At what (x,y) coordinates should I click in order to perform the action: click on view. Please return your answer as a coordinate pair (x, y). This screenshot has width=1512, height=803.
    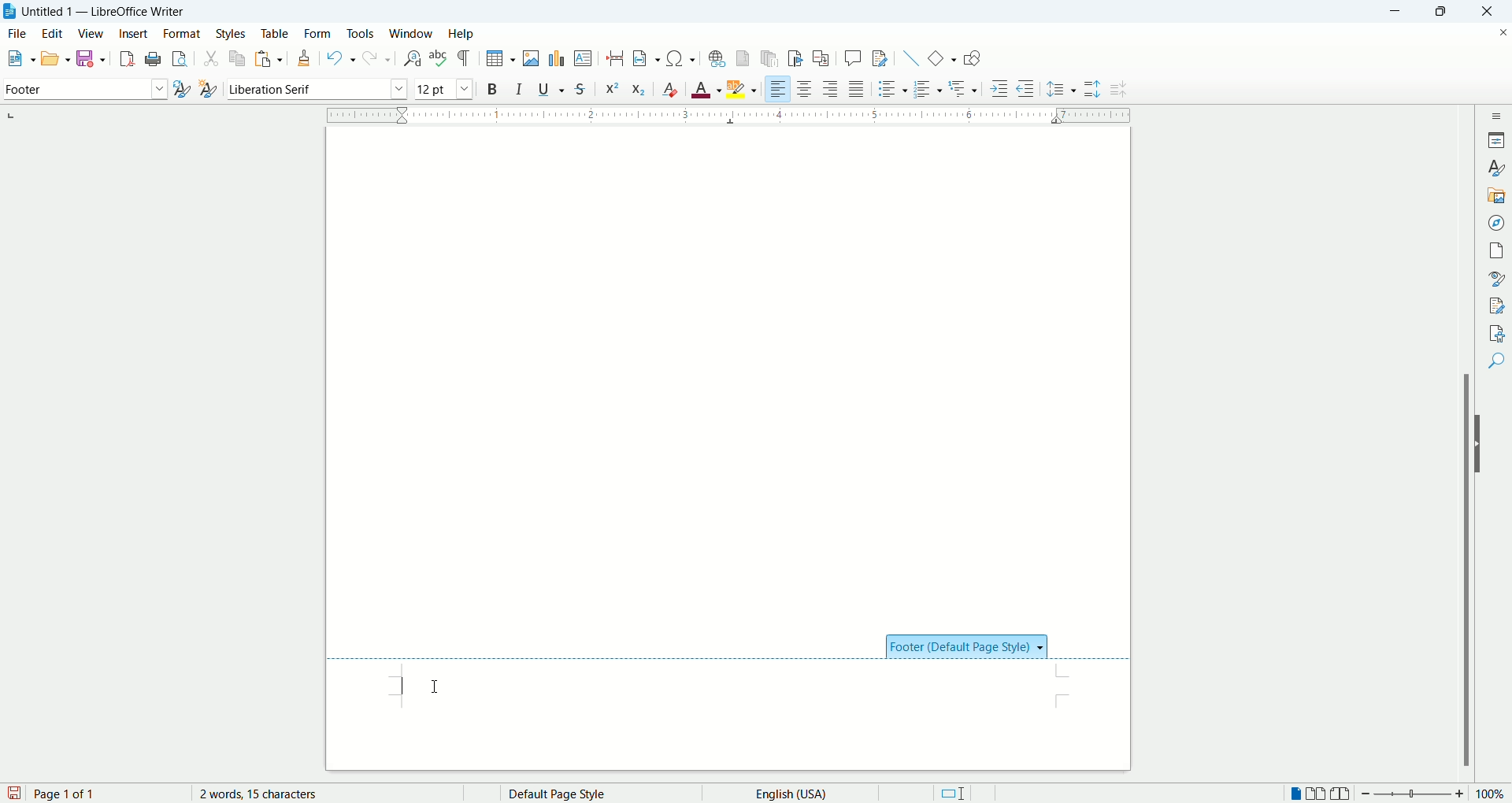
    Looking at the image, I should click on (92, 34).